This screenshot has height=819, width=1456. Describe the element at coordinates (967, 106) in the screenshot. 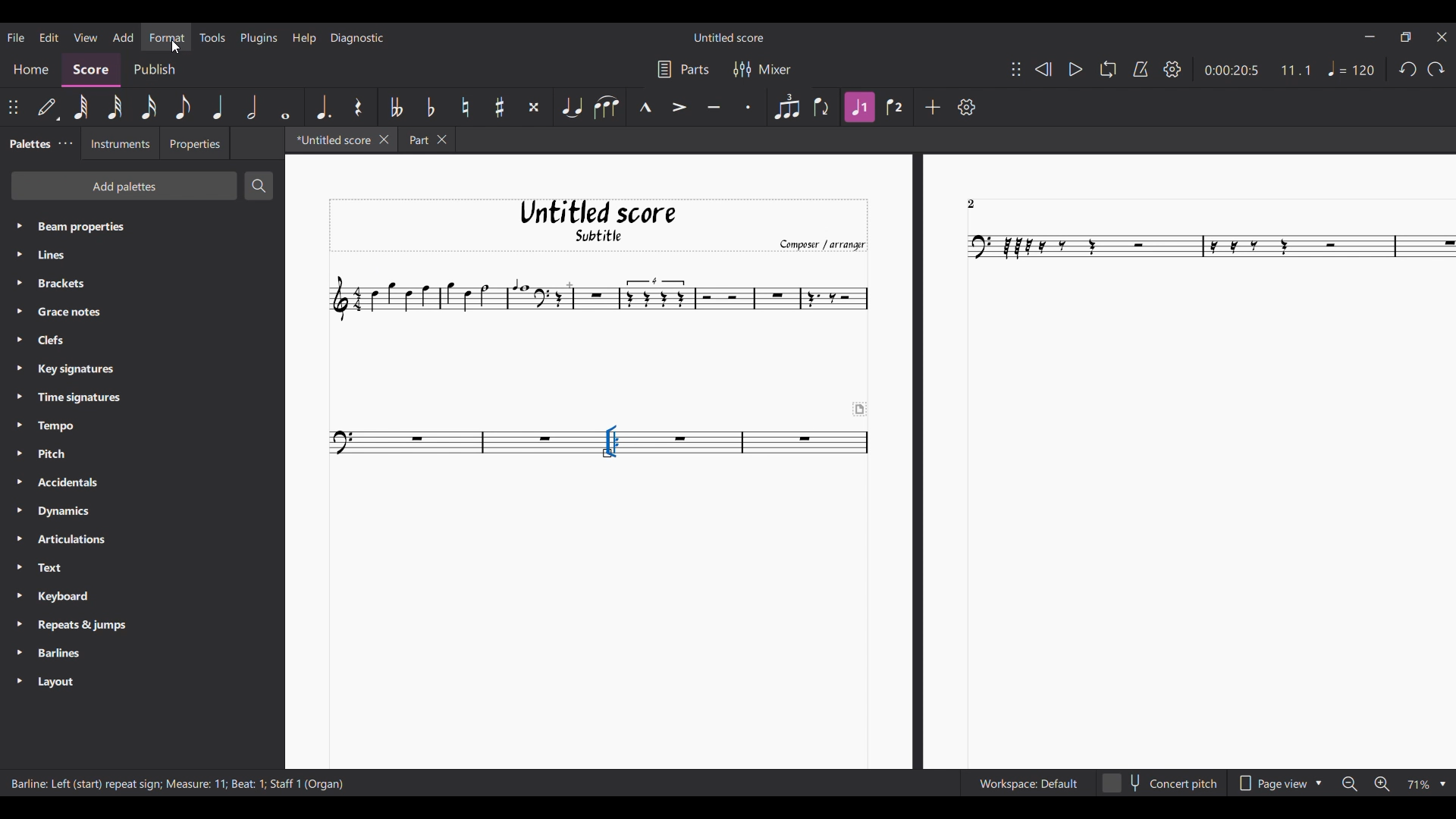

I see `Settings` at that location.